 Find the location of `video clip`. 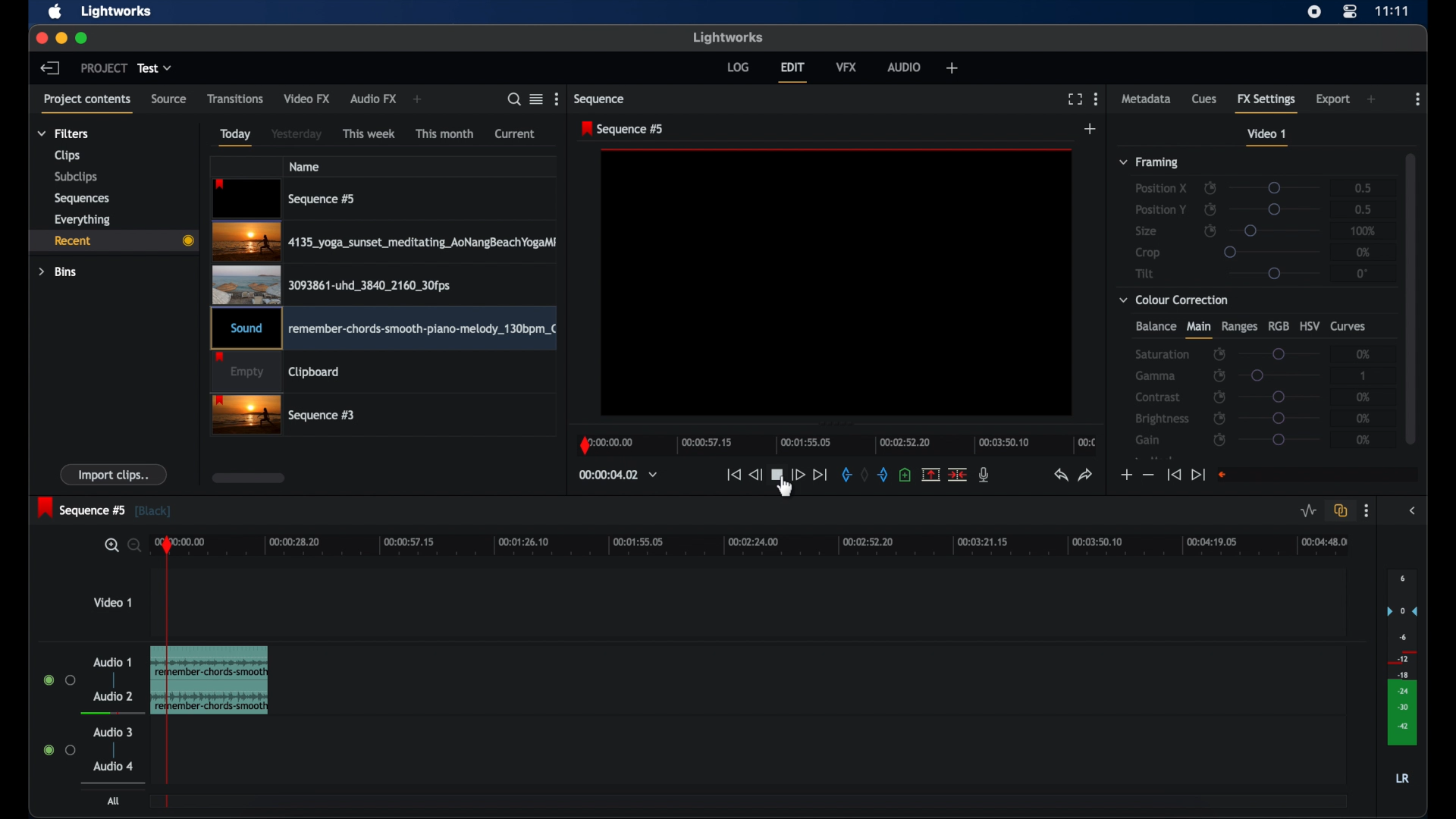

video clip is located at coordinates (285, 199).